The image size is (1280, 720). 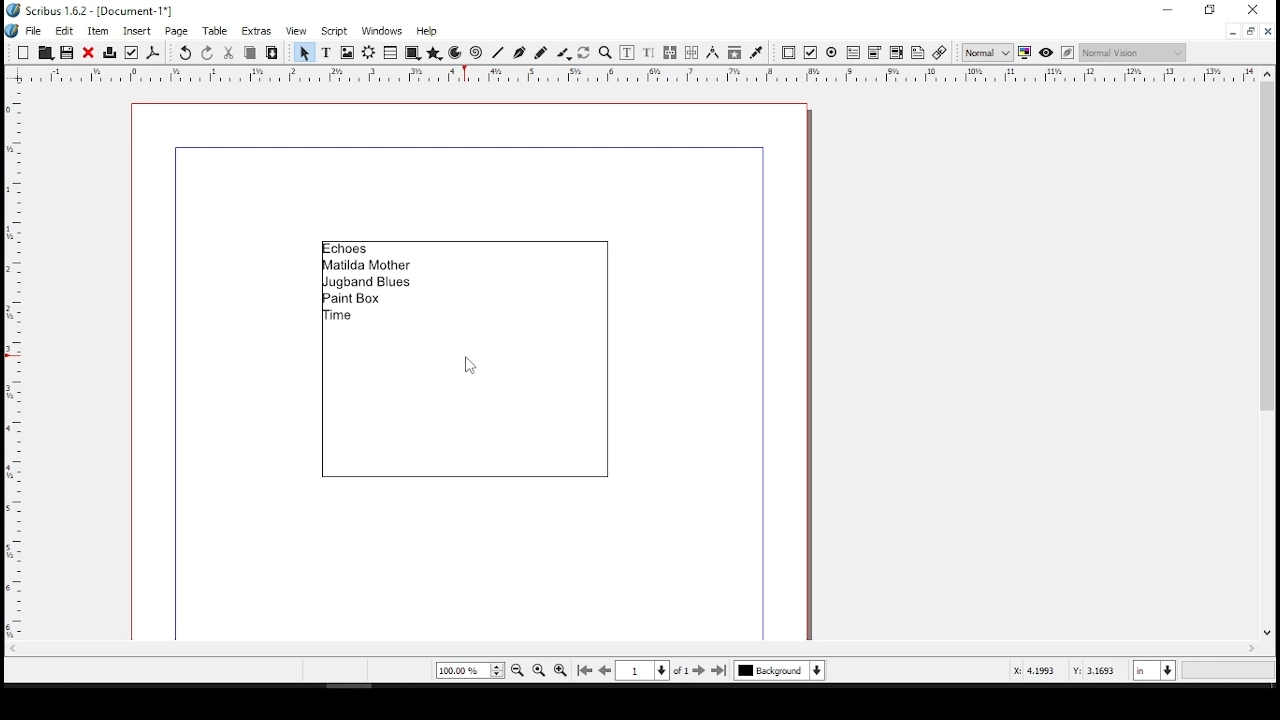 What do you see at coordinates (756, 52) in the screenshot?
I see `eye dropper` at bounding box center [756, 52].